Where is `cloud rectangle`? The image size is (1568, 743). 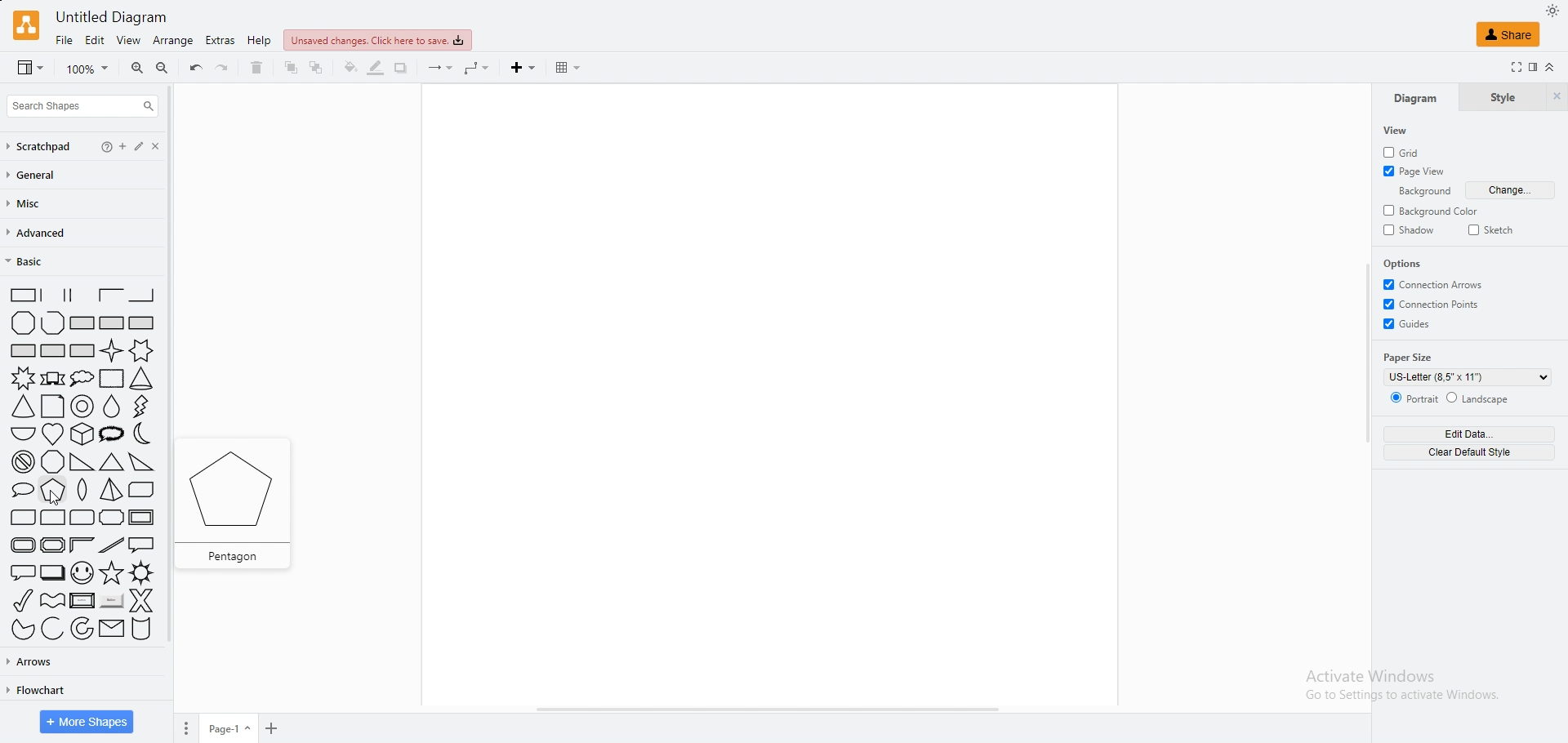
cloud rectangle is located at coordinates (109, 379).